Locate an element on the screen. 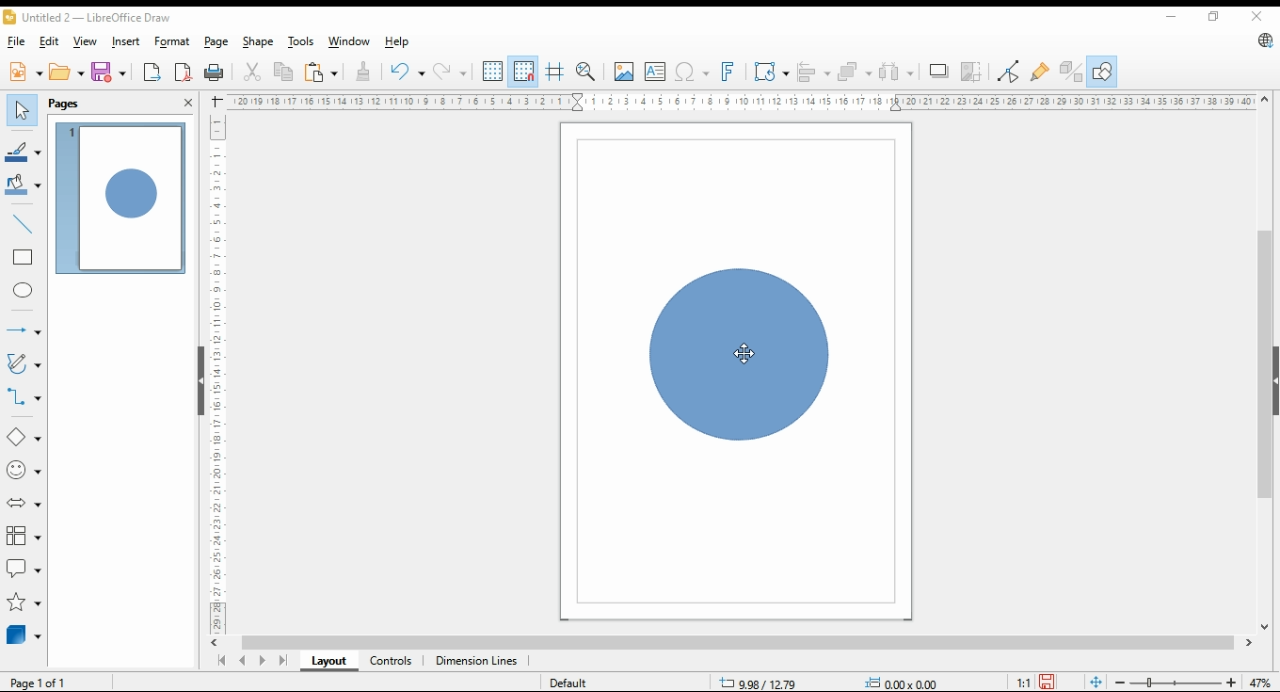 The height and width of the screenshot is (692, 1280). insert text box is located at coordinates (654, 72).